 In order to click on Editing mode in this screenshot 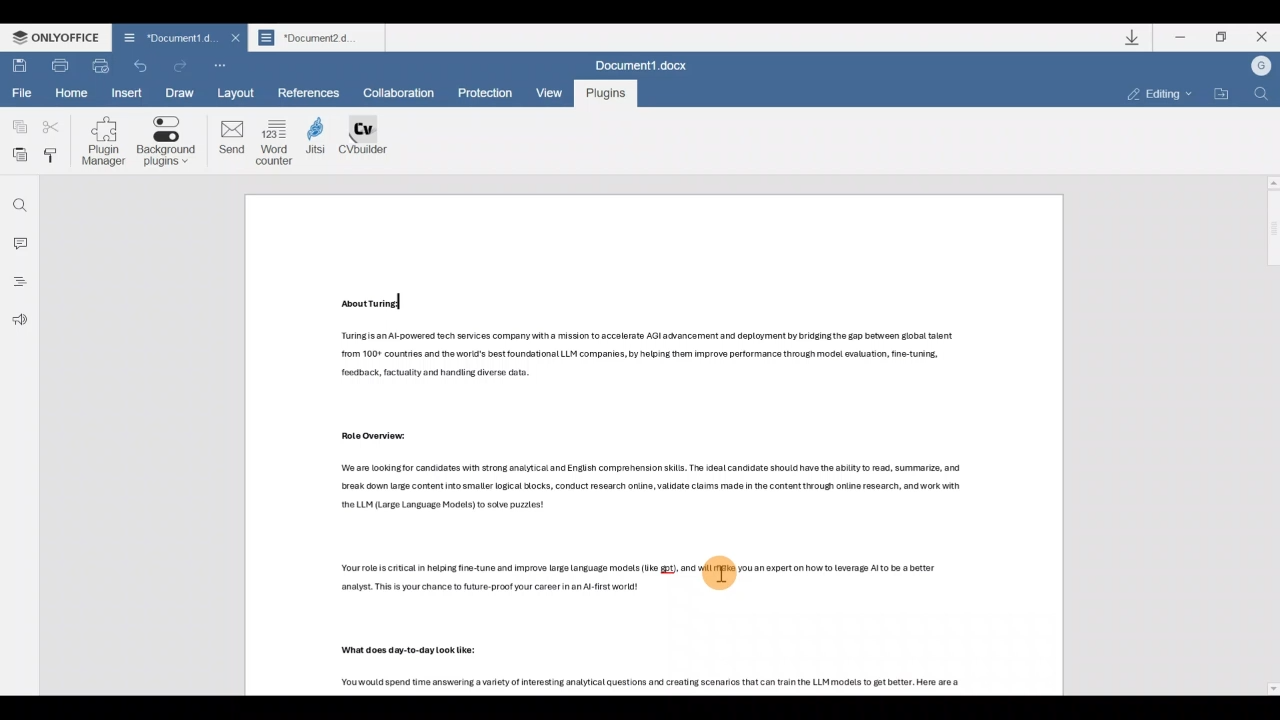, I will do `click(1153, 94)`.